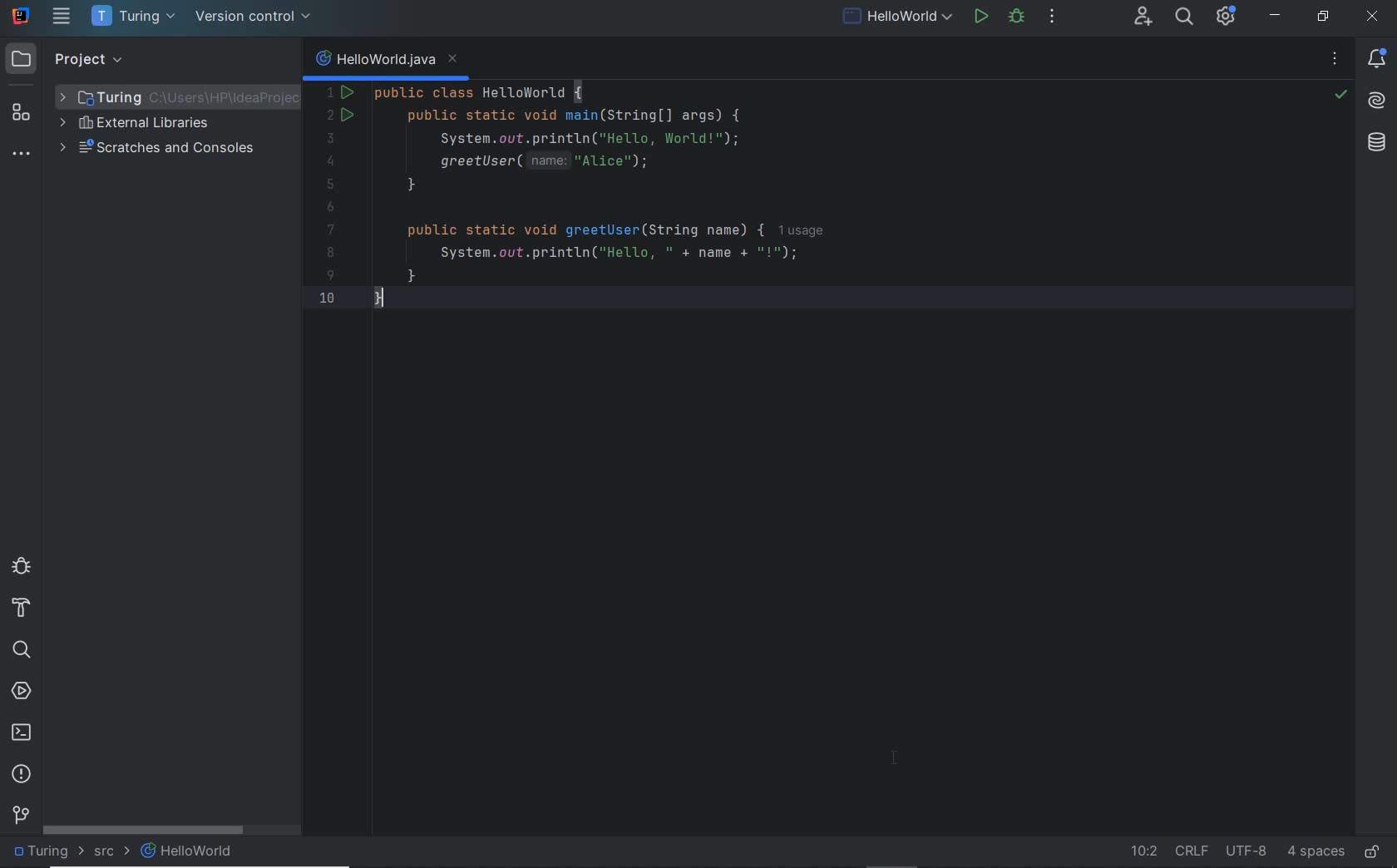 This screenshot has width=1397, height=868. What do you see at coordinates (157, 150) in the screenshot?
I see `scratches and consoles` at bounding box center [157, 150].